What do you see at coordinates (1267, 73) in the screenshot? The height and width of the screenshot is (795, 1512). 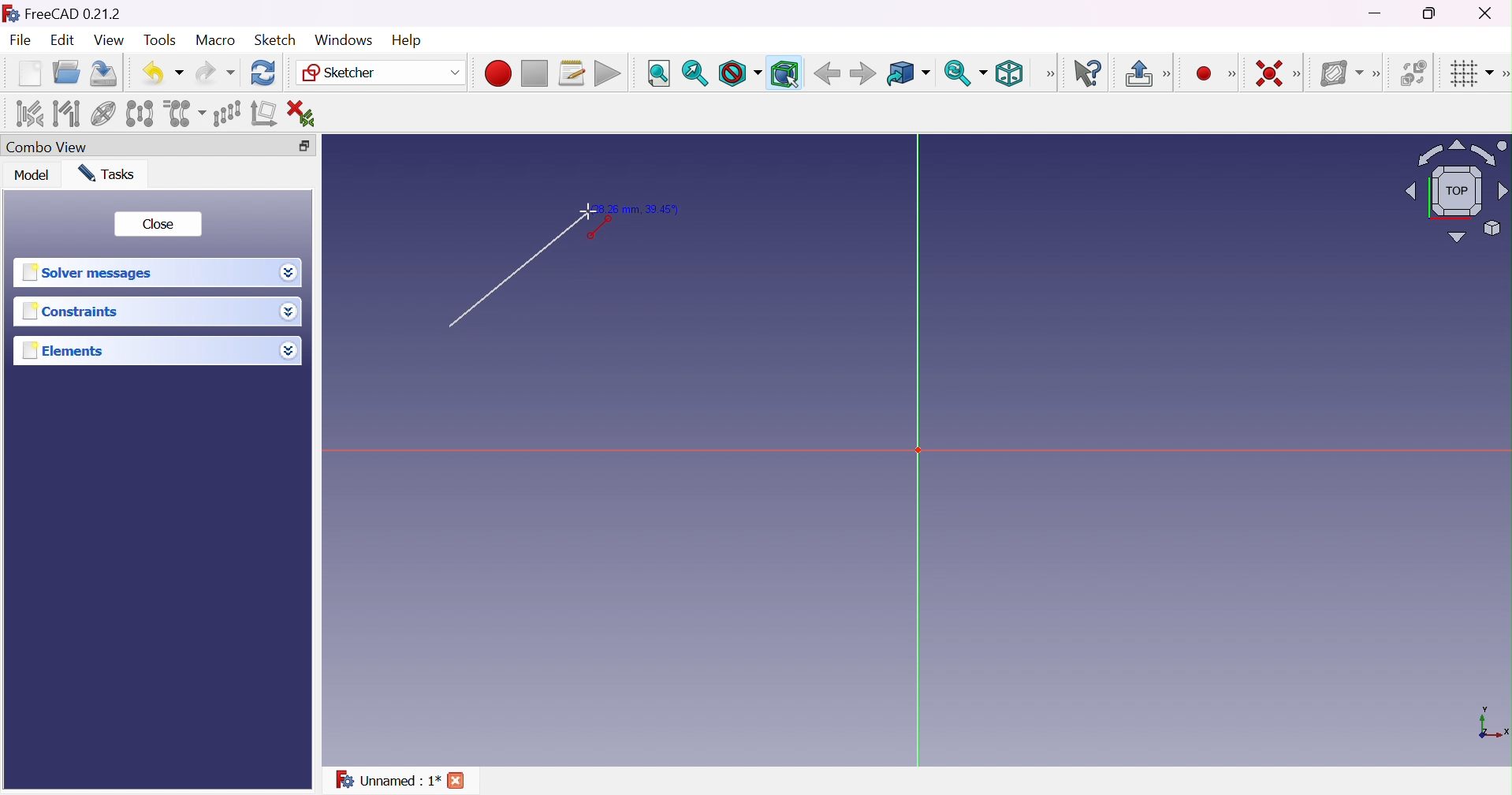 I see `Constrain coincident` at bounding box center [1267, 73].